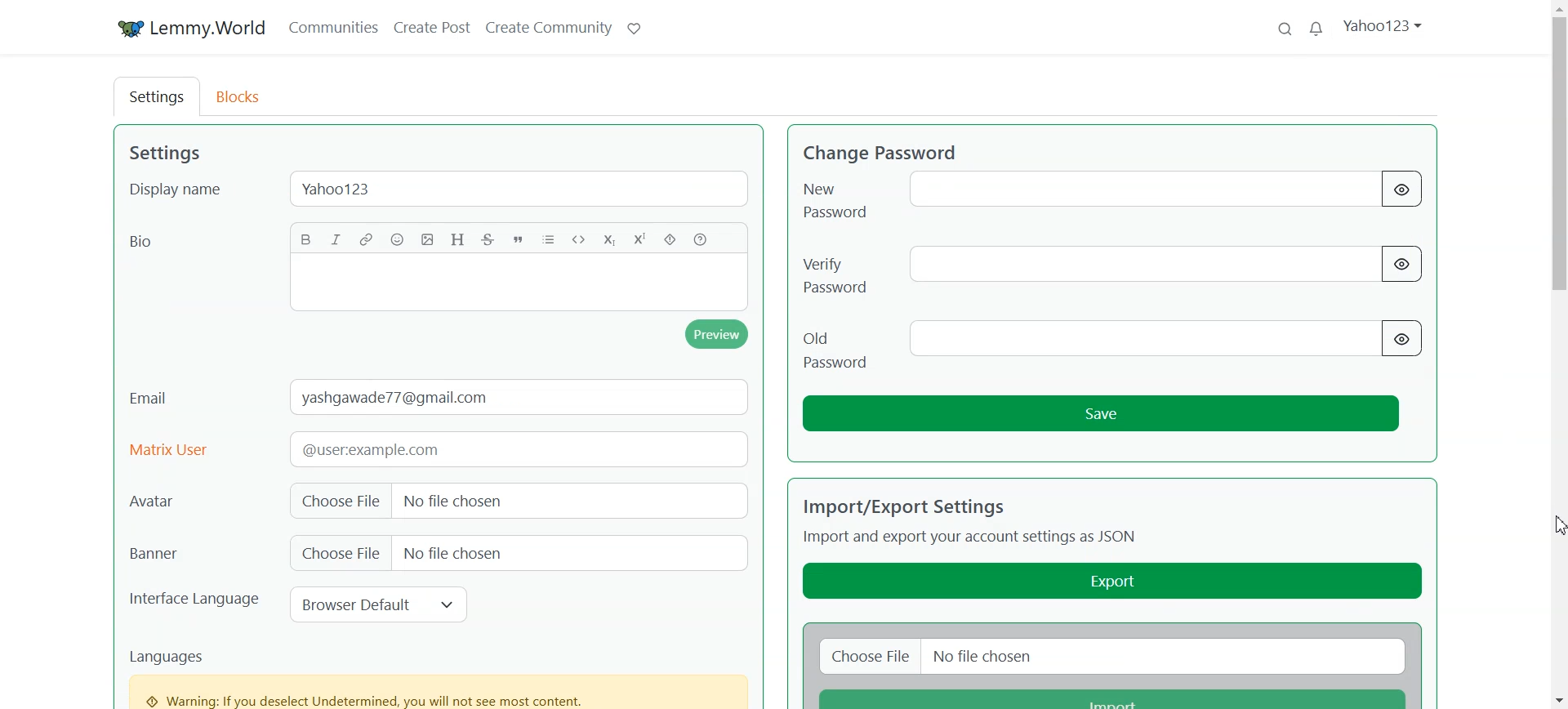 This screenshot has height=709, width=1568. I want to click on reenter new password, so click(1133, 265).